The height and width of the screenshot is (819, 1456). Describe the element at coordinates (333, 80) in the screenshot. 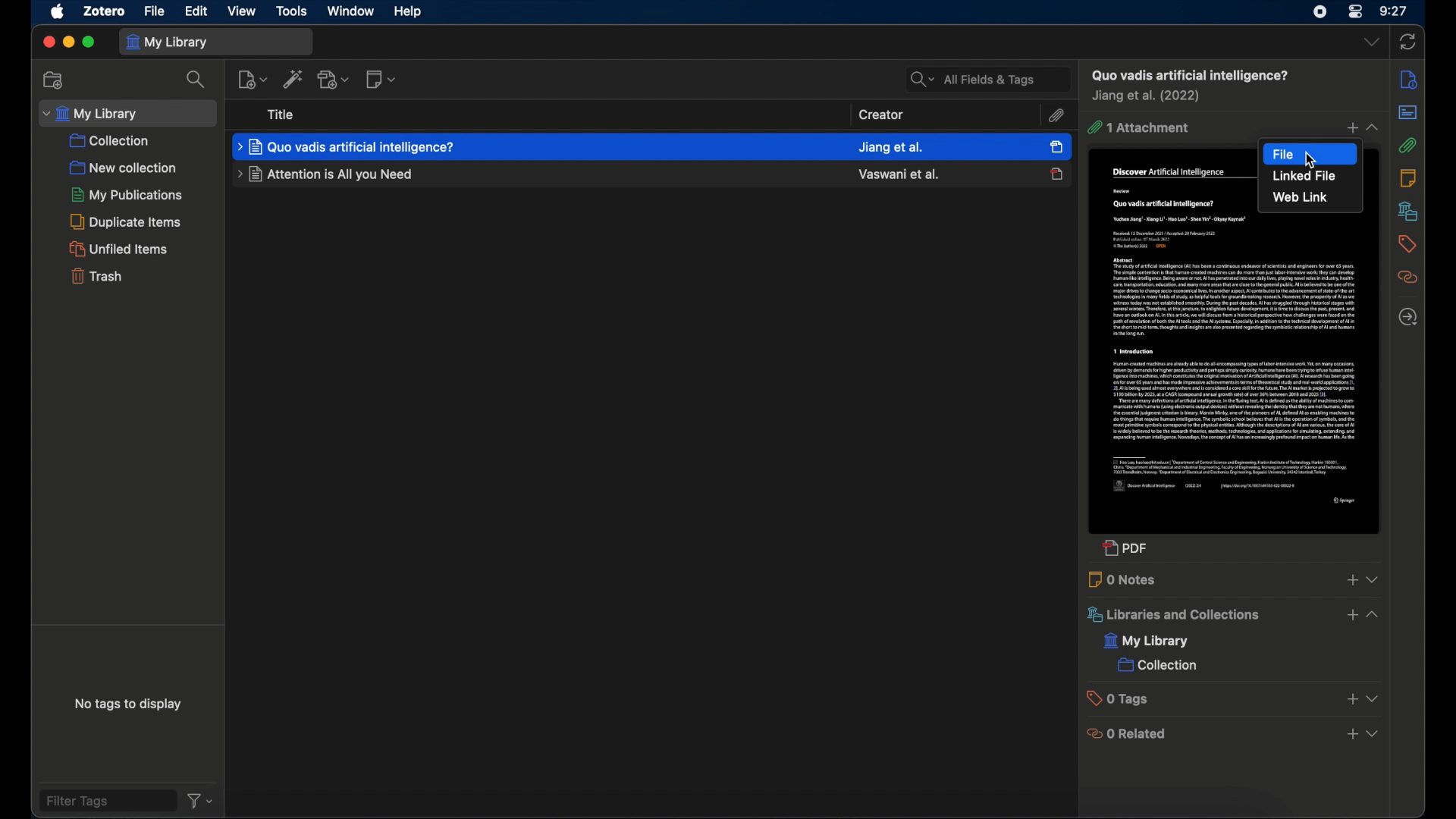

I see `add attachment` at that location.